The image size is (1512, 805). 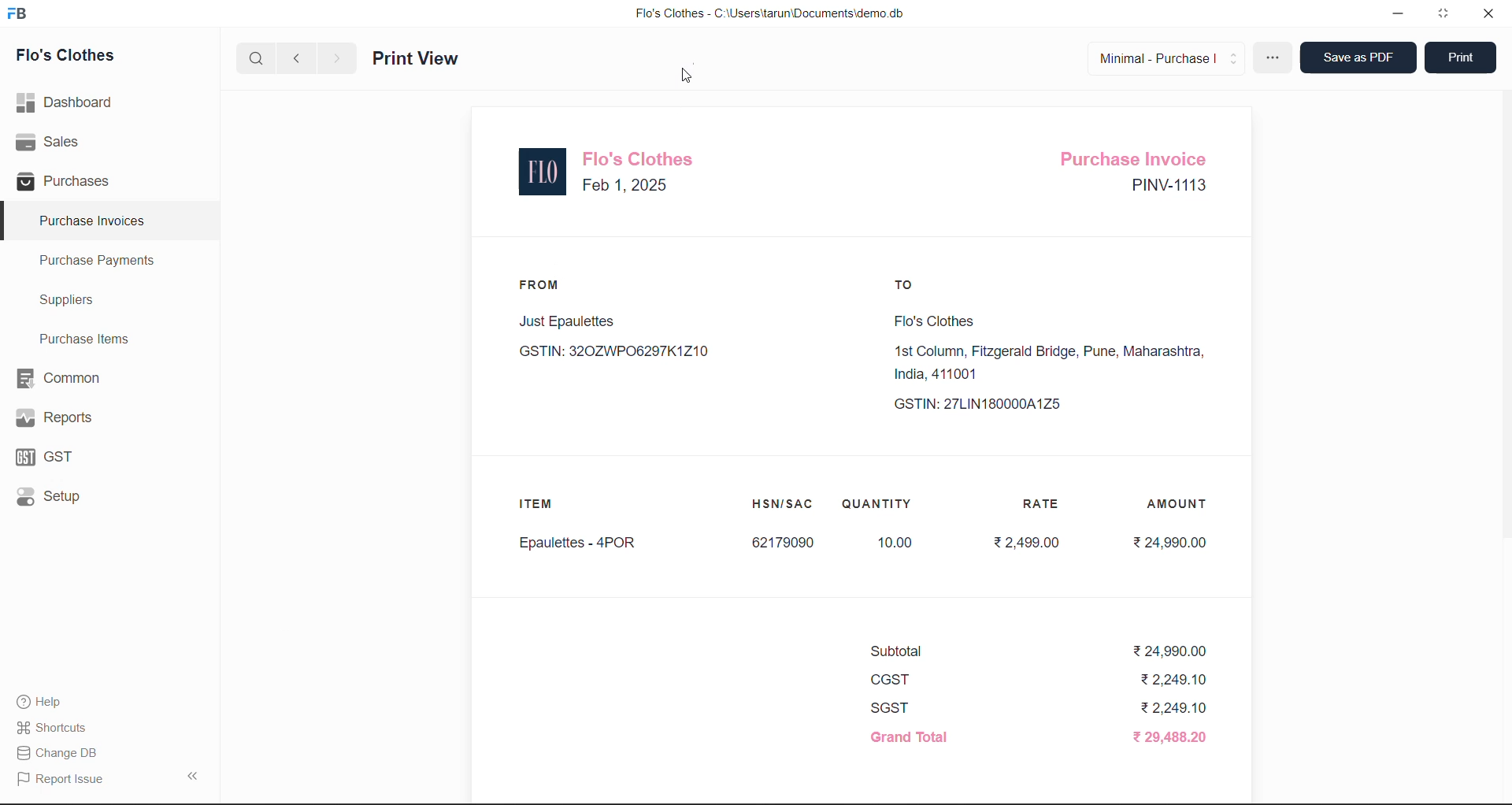 What do you see at coordinates (687, 78) in the screenshot?
I see `cursor` at bounding box center [687, 78].